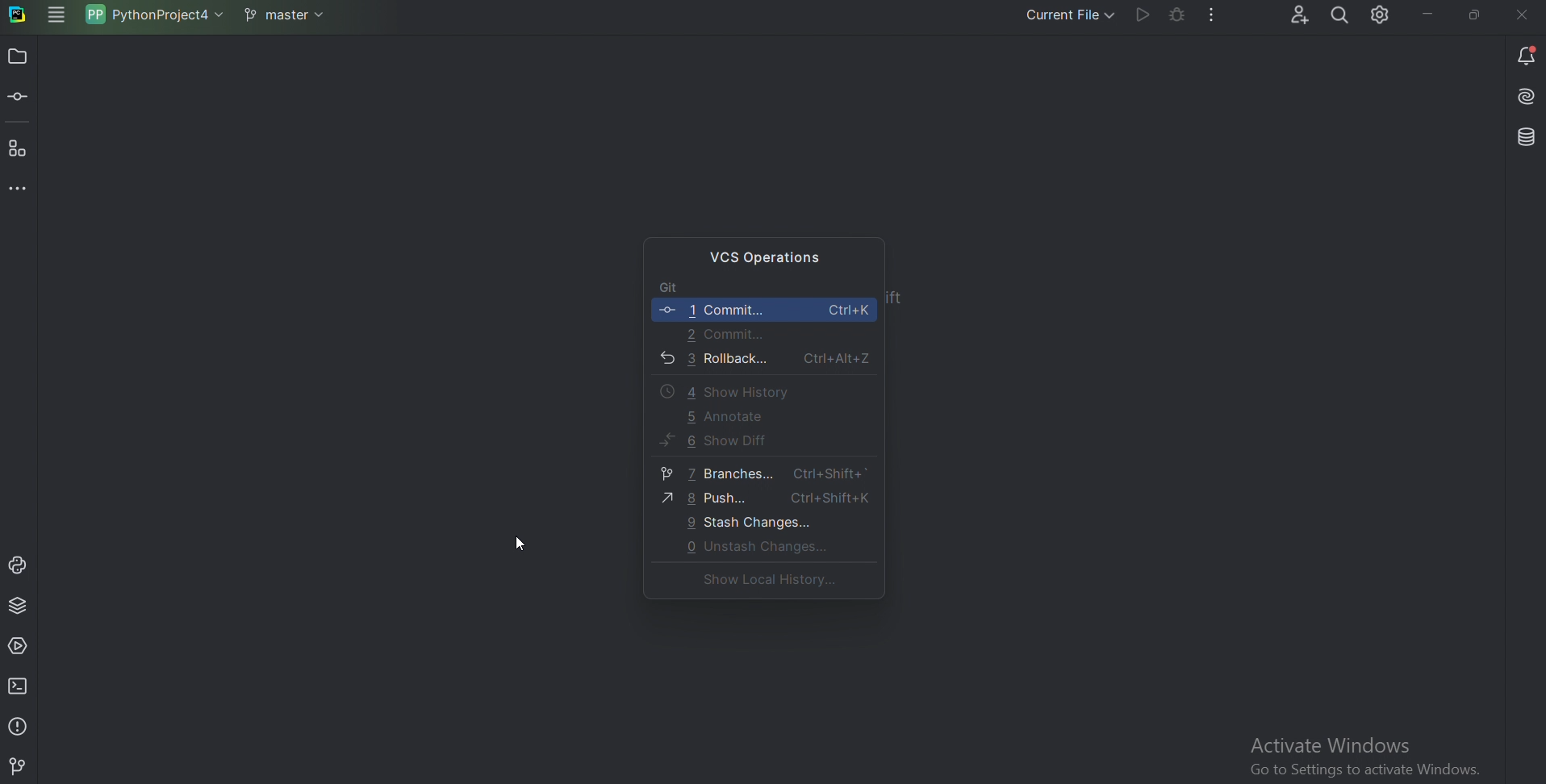  I want to click on Terminal, so click(21, 686).